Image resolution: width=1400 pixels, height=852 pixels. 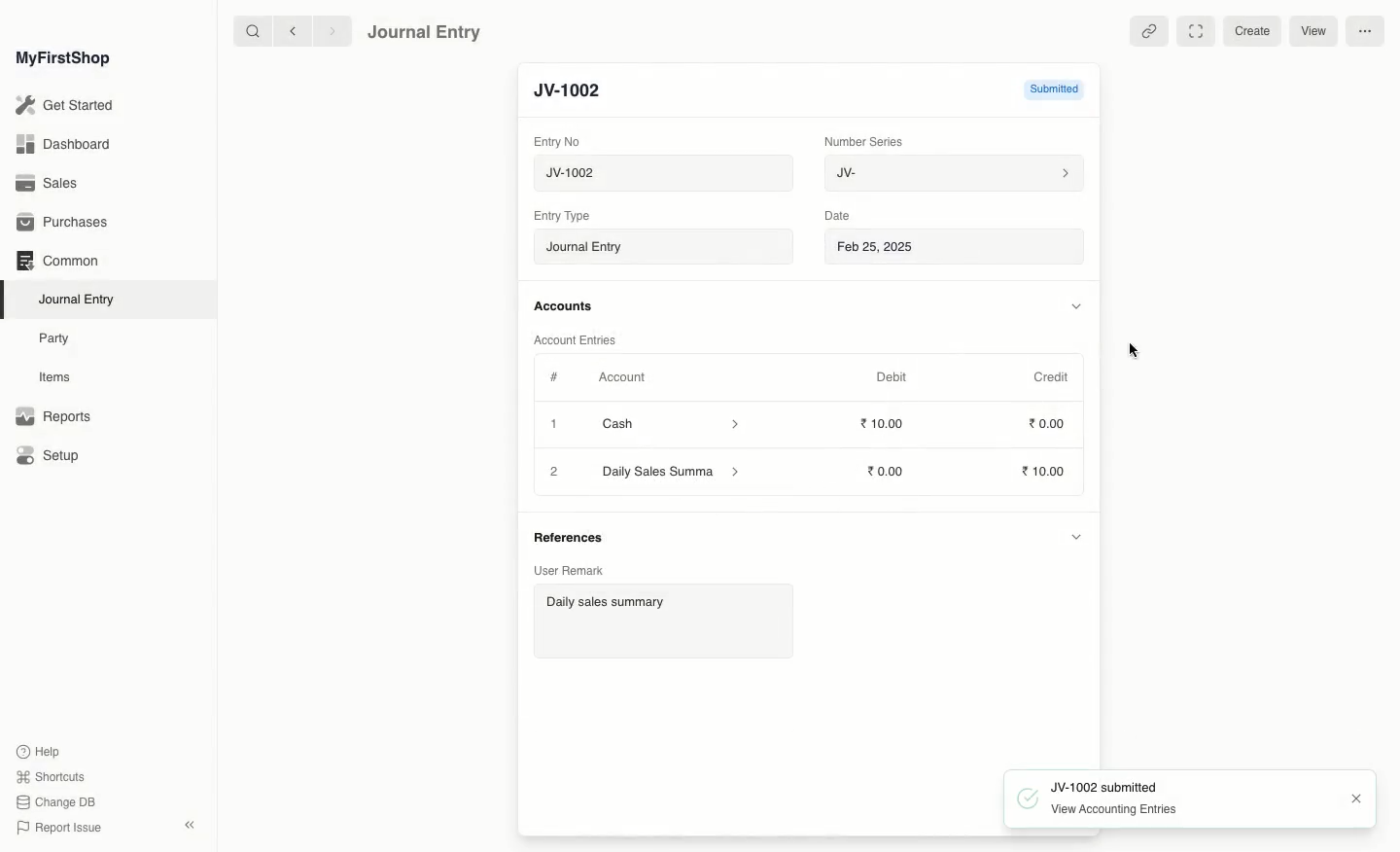 I want to click on Dashboard, so click(x=62, y=143).